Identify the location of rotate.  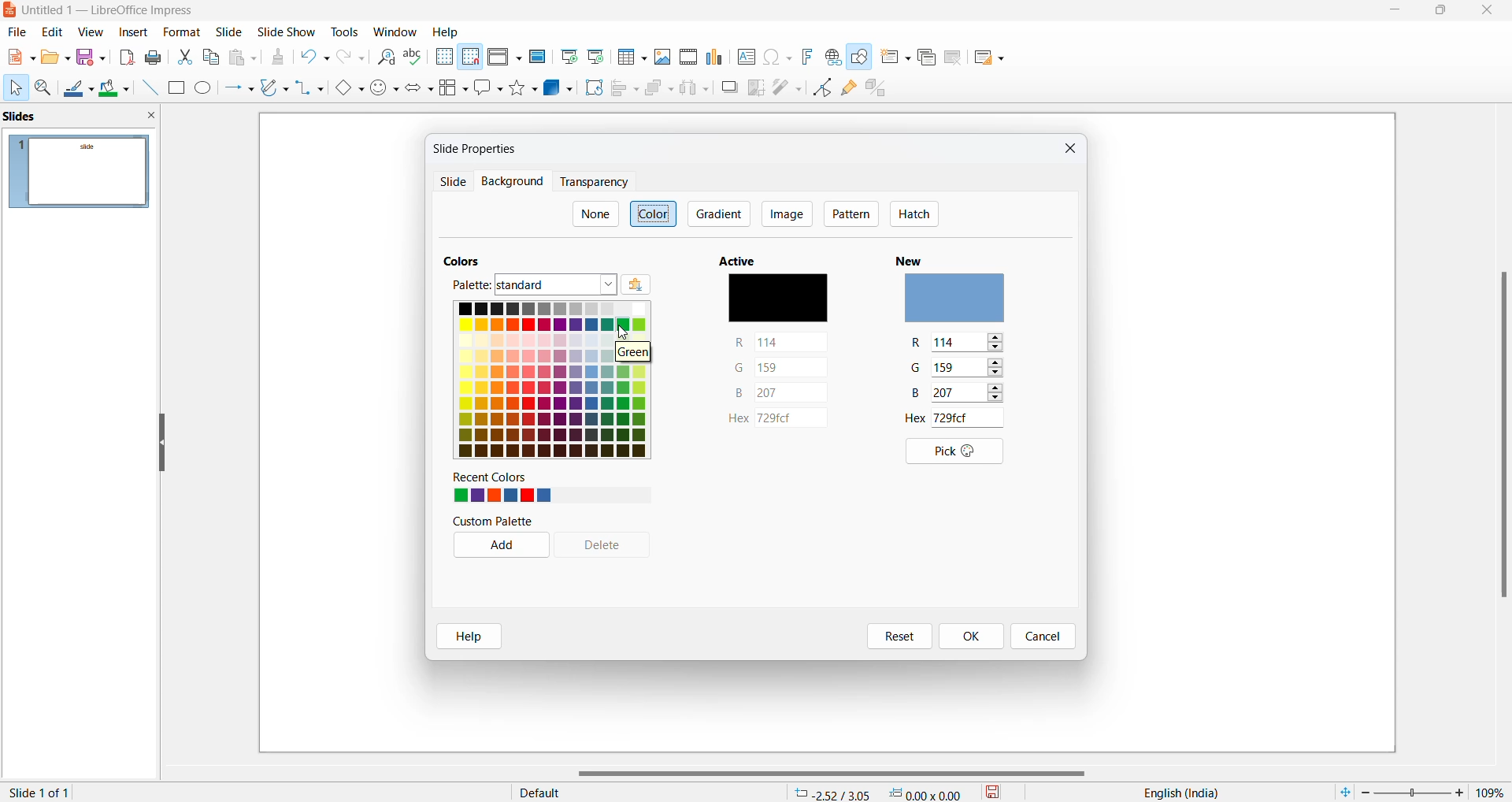
(592, 87).